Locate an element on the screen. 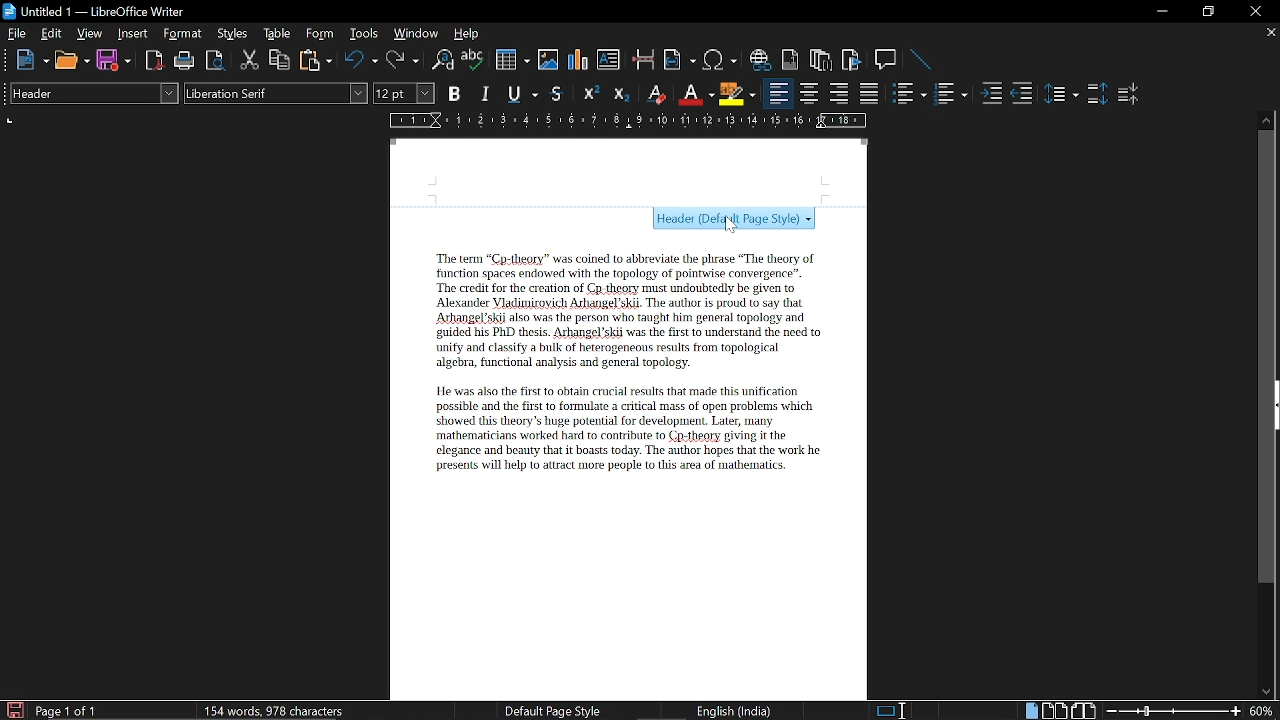  Justified is located at coordinates (870, 94).